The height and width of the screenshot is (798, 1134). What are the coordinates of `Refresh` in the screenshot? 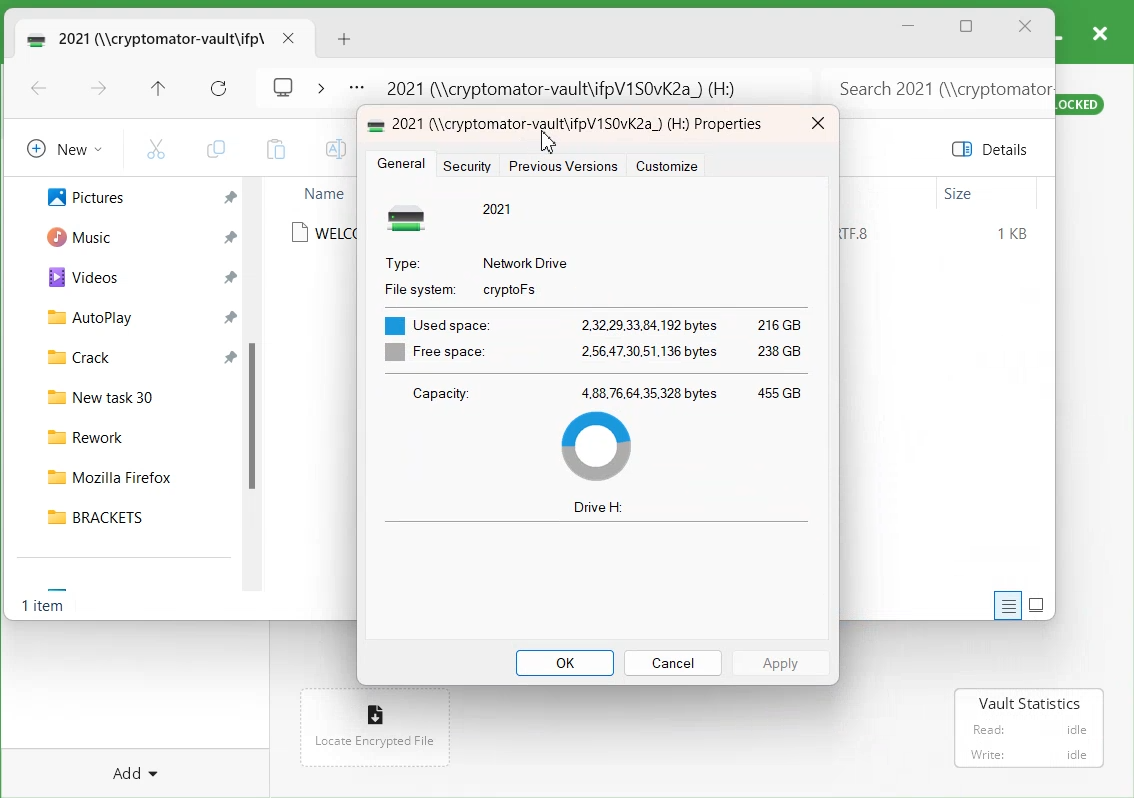 It's located at (219, 89).